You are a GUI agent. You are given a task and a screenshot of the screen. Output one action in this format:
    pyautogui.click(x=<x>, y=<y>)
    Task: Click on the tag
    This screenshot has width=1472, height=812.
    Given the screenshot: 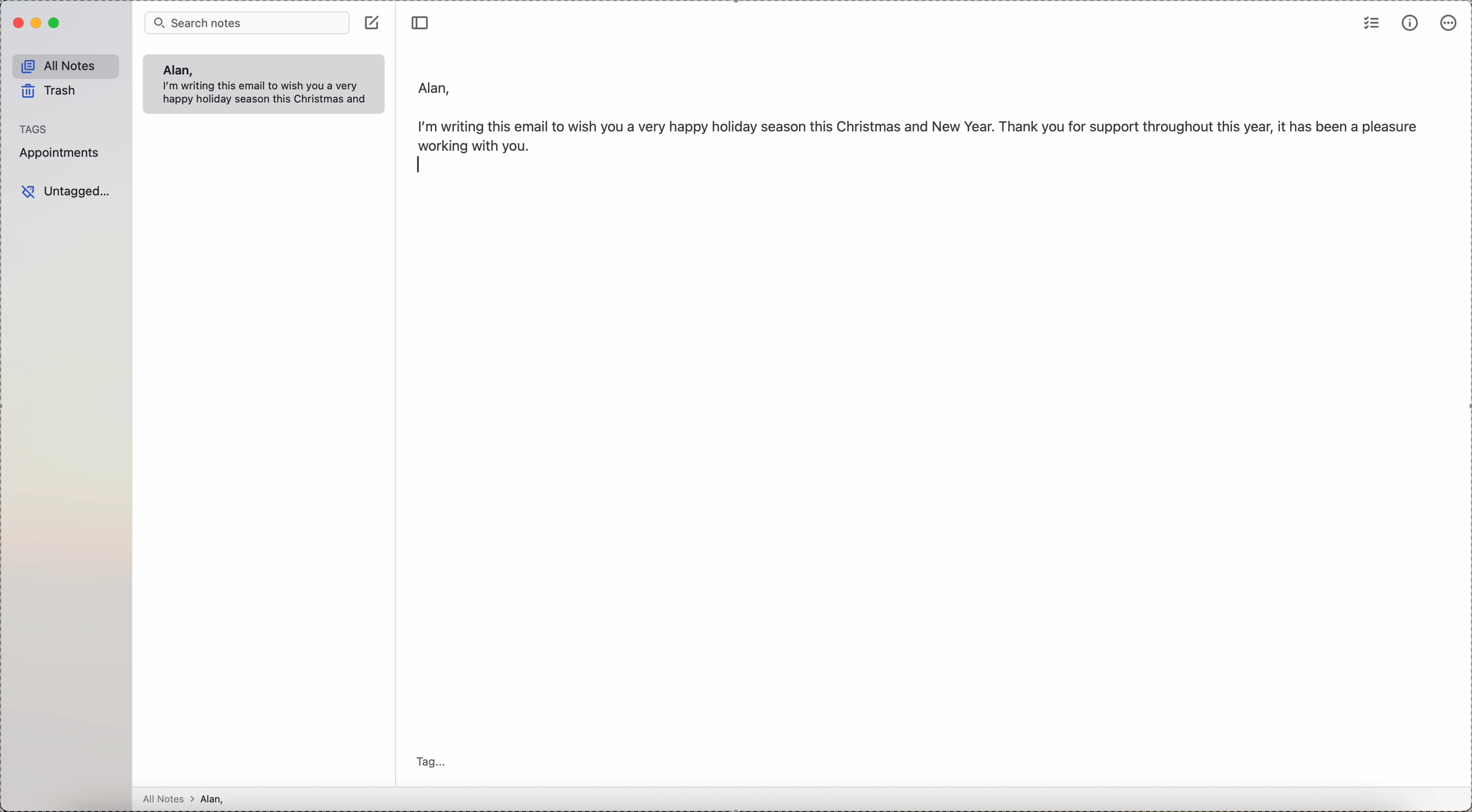 What is the action you would take?
    pyautogui.click(x=434, y=763)
    